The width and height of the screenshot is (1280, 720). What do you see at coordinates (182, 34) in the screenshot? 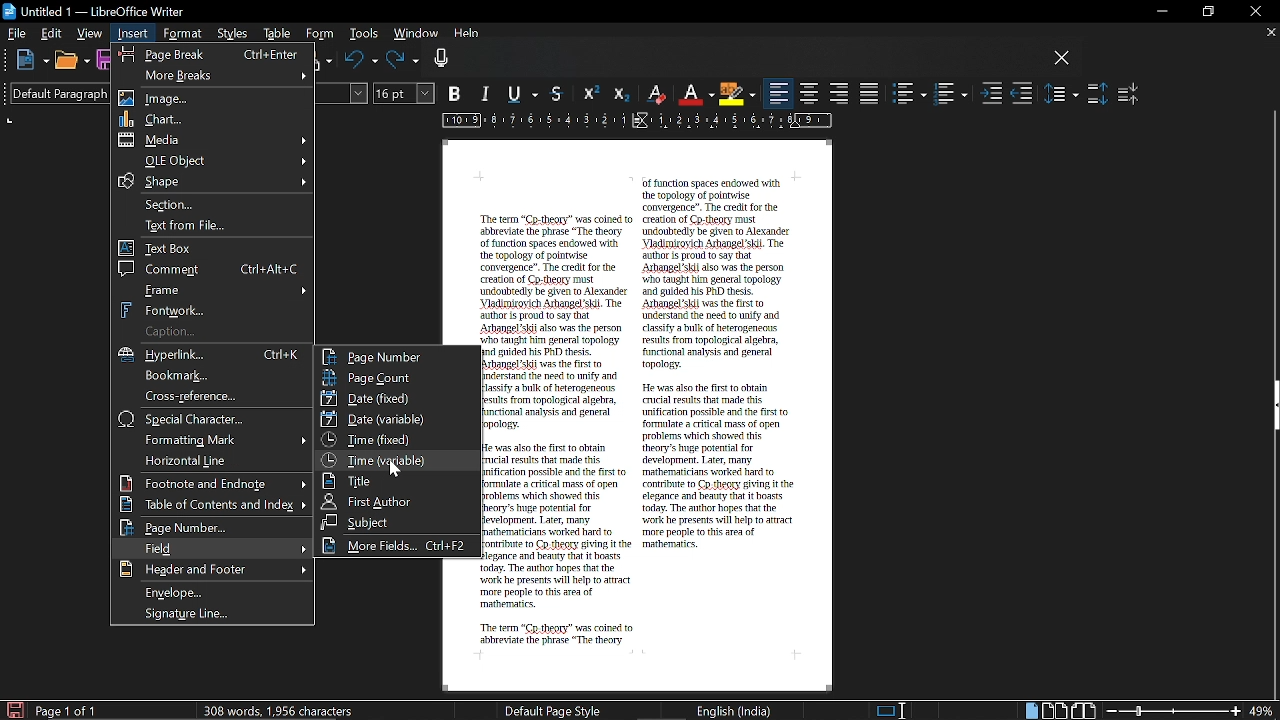
I see `Format` at bounding box center [182, 34].